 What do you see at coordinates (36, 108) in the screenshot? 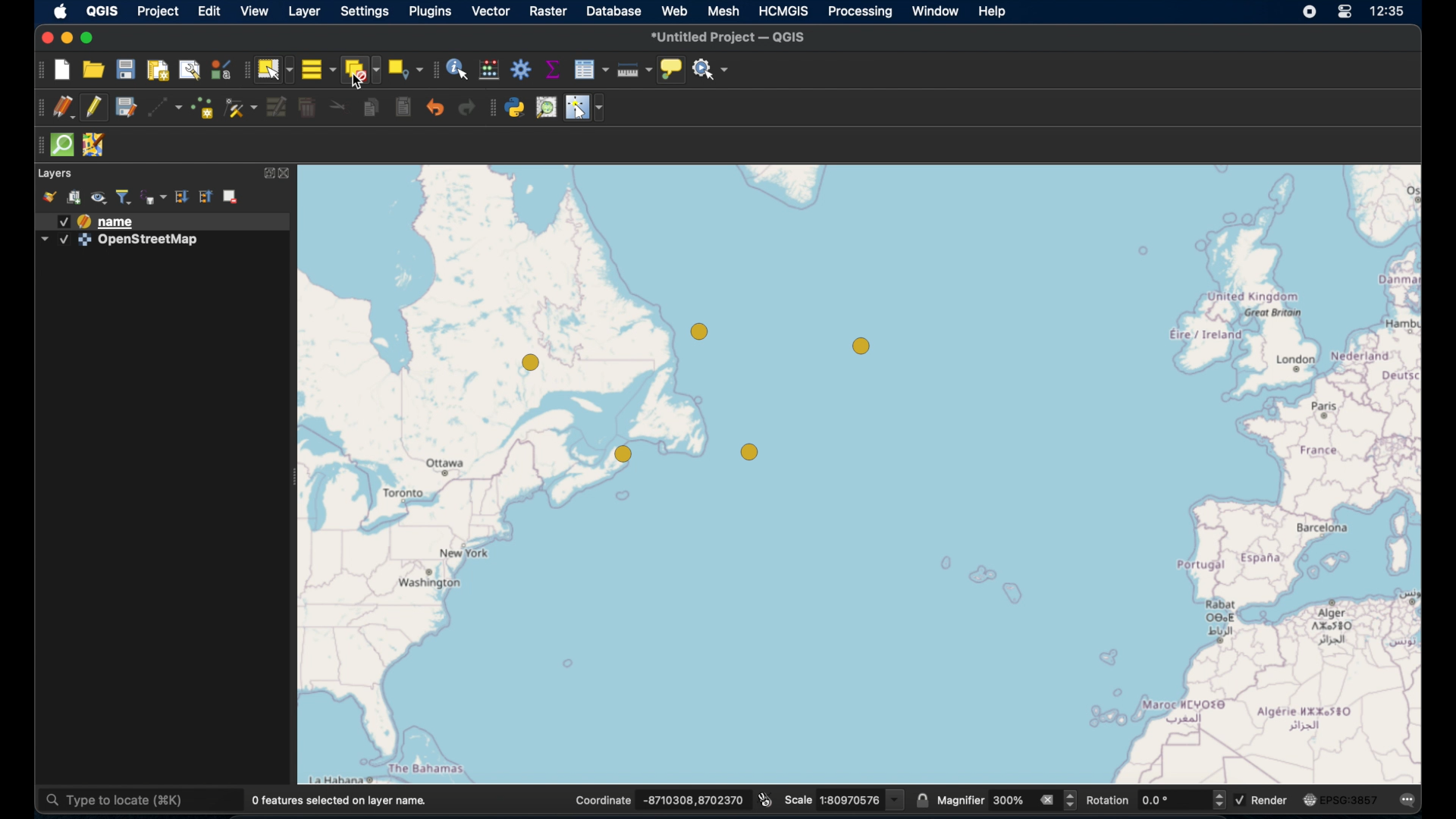
I see `drag handle` at bounding box center [36, 108].